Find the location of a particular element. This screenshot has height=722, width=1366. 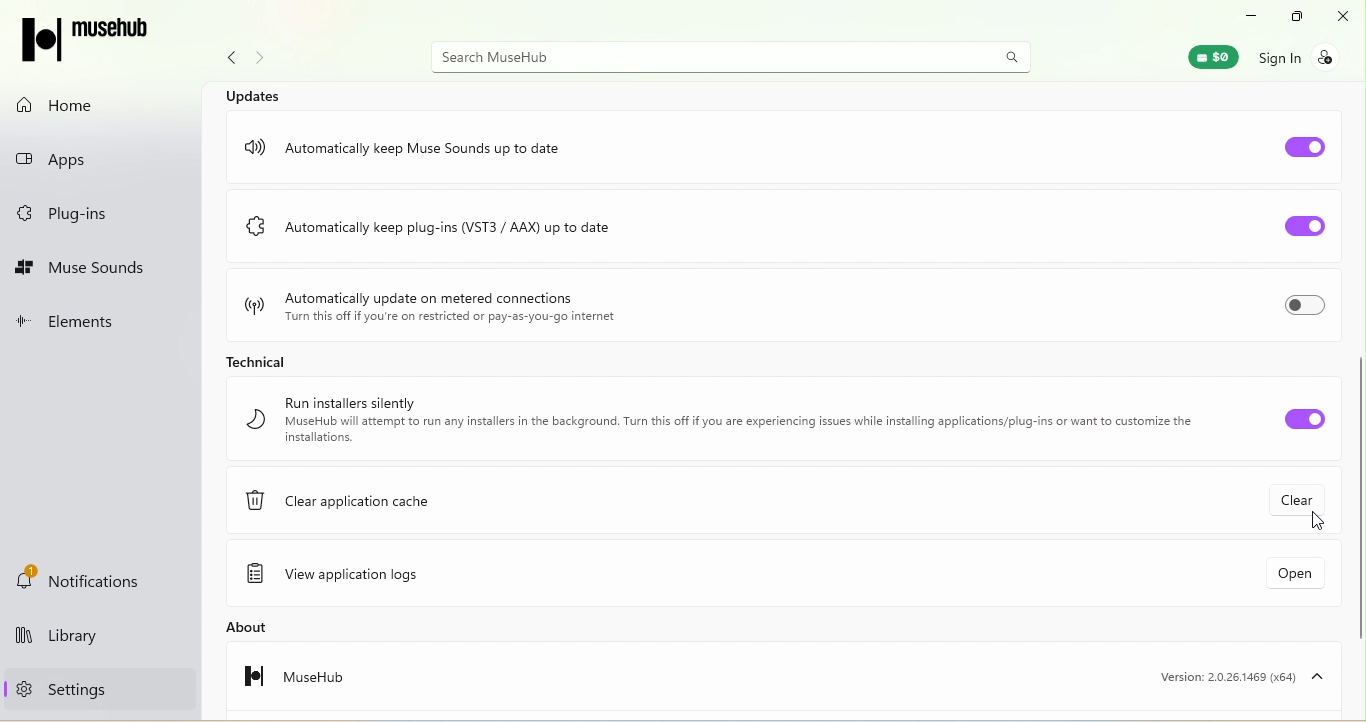

Maximize is located at coordinates (1292, 17).